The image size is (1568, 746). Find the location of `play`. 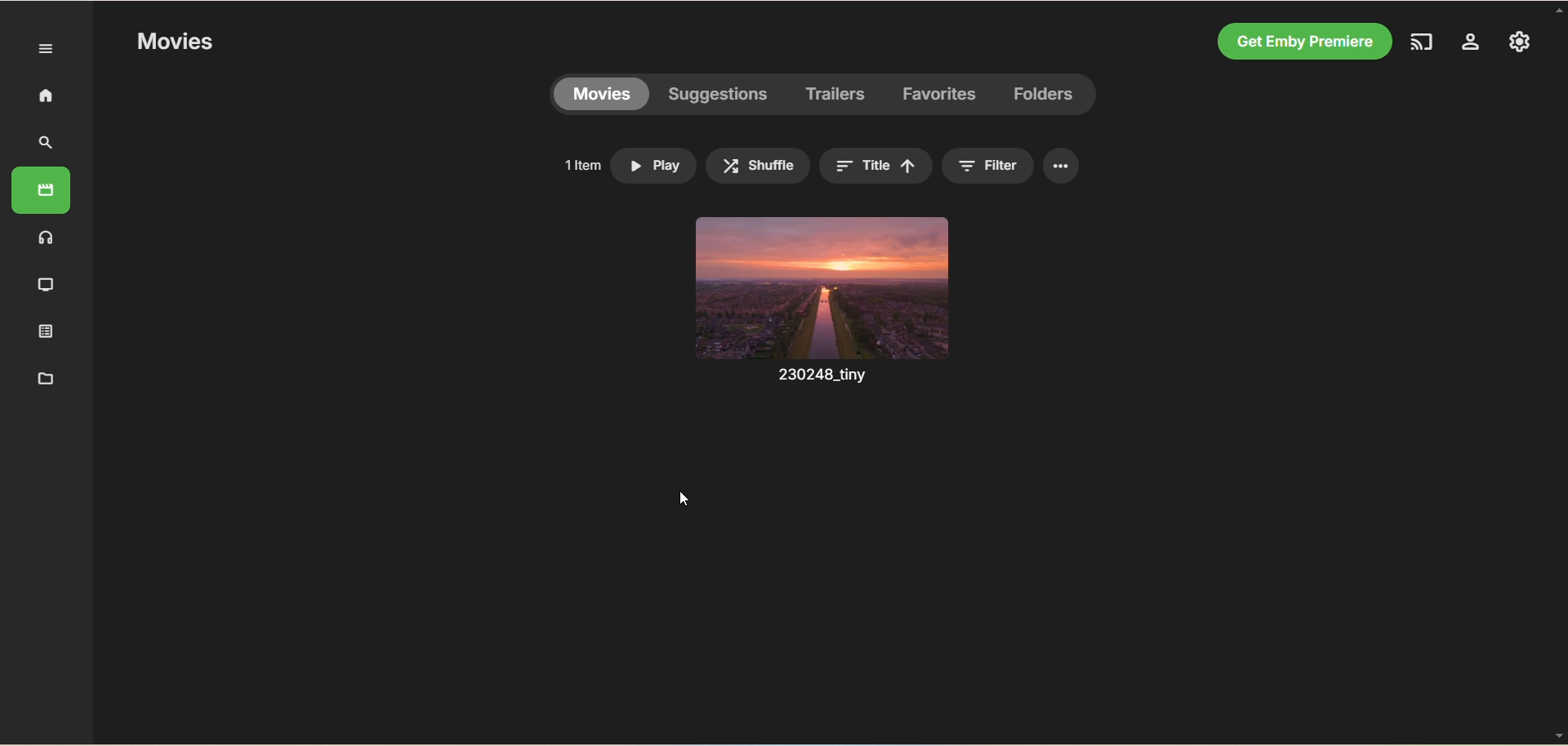

play is located at coordinates (656, 167).